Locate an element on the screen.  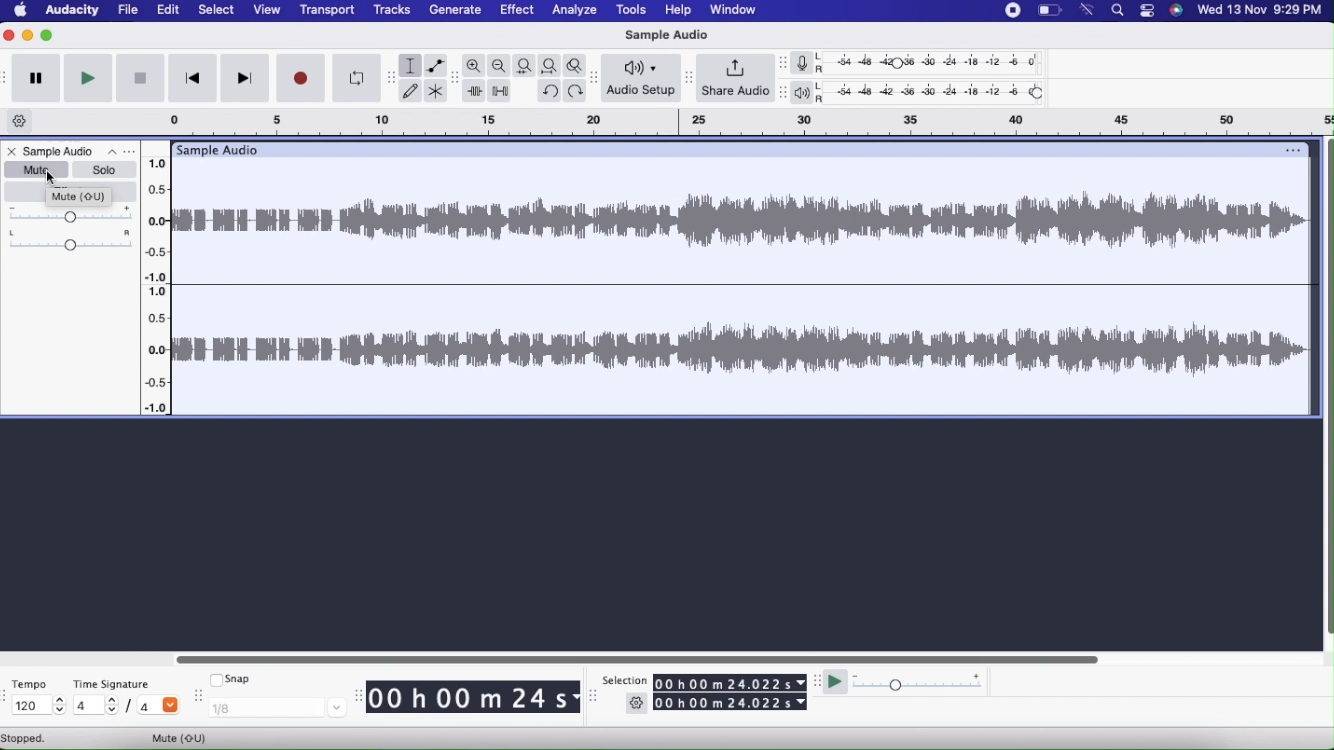
Enable looping is located at coordinates (355, 76).